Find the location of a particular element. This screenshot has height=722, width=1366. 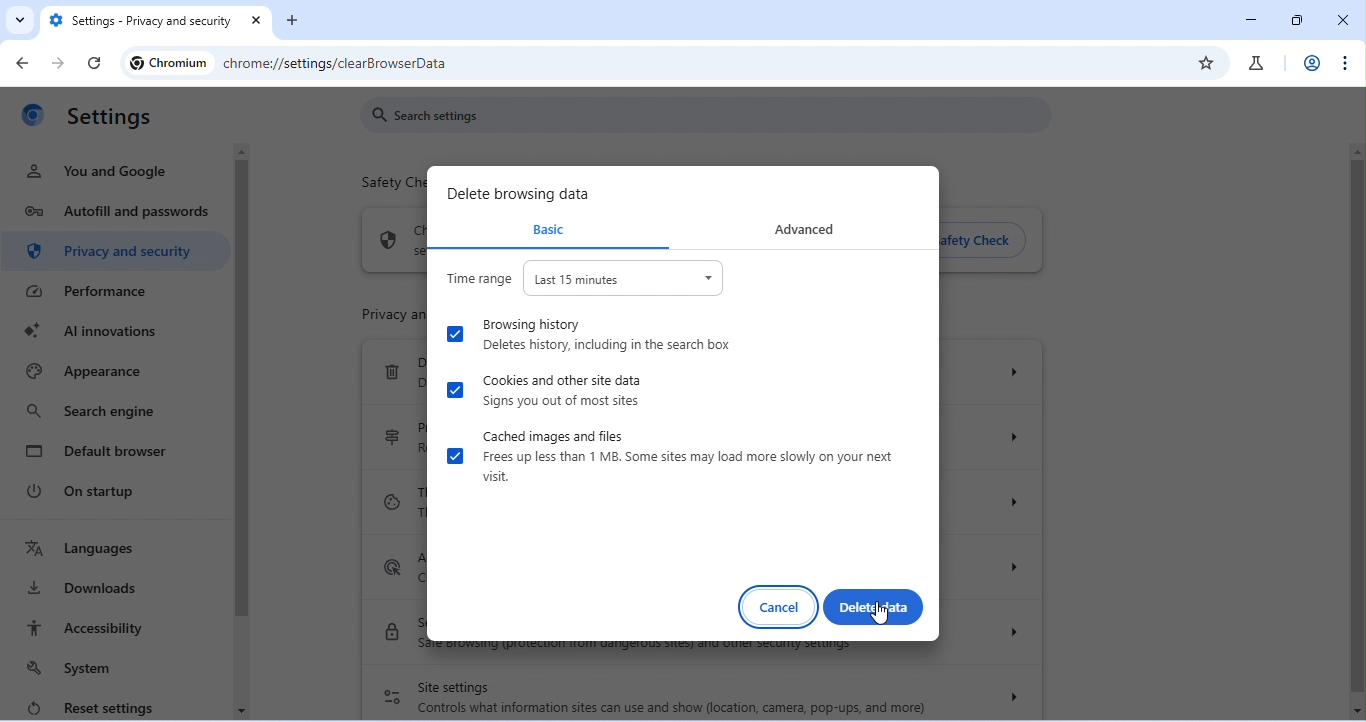

settings-privacy and security is located at coordinates (142, 22).